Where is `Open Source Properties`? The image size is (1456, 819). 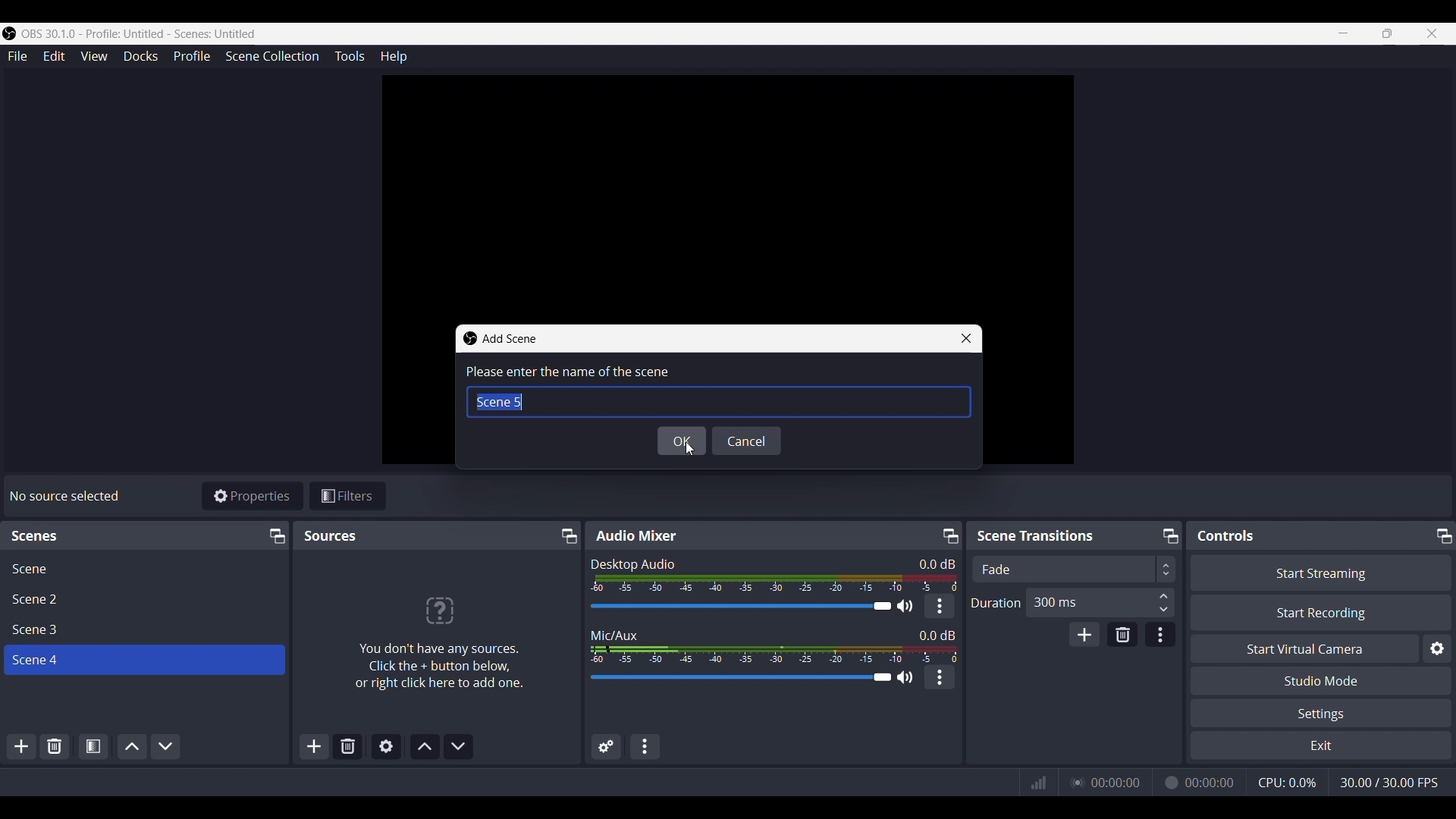
Open Source Properties is located at coordinates (385, 747).